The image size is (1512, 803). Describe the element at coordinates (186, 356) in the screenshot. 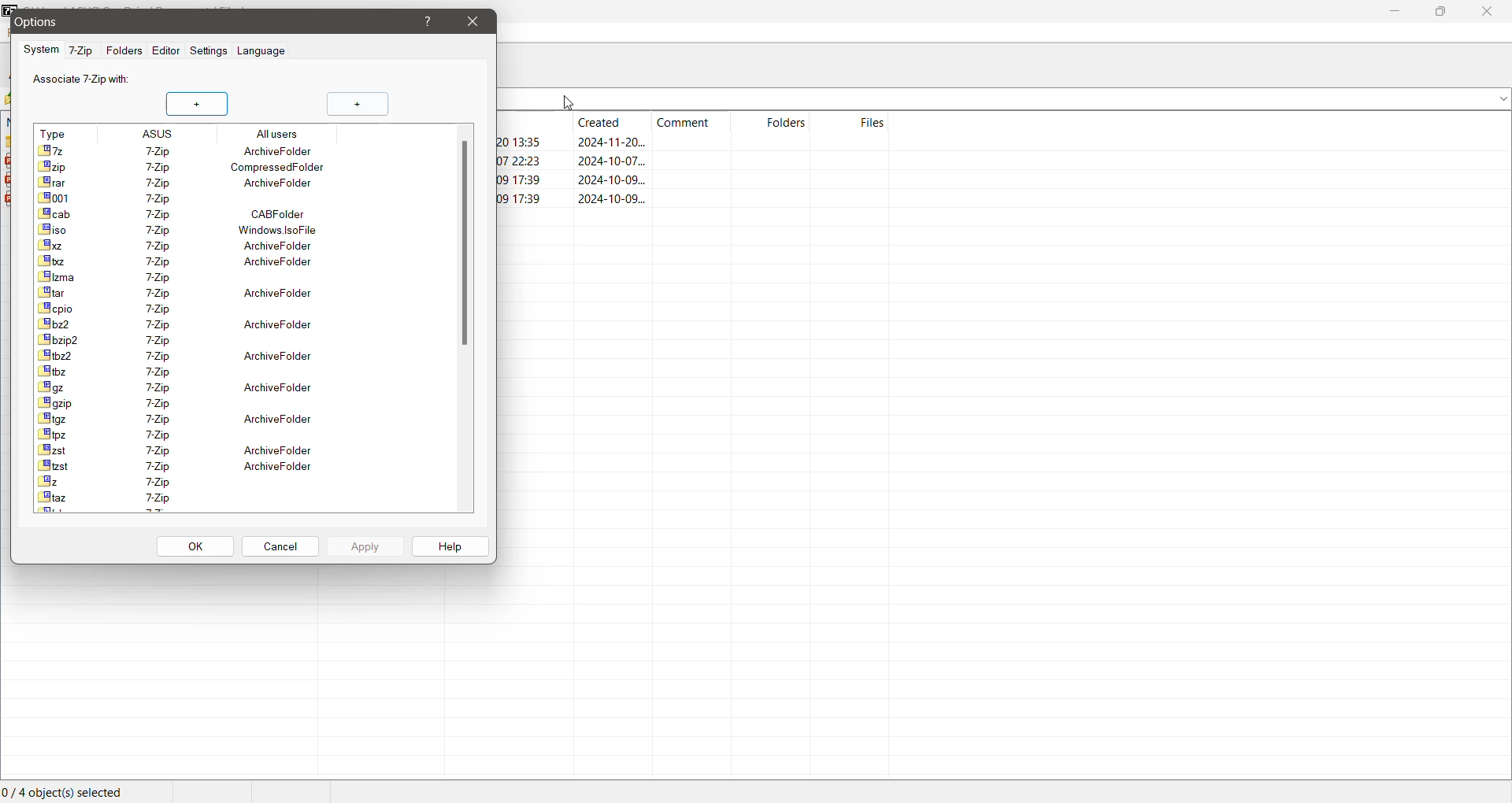

I see `Archived Folder` at that location.